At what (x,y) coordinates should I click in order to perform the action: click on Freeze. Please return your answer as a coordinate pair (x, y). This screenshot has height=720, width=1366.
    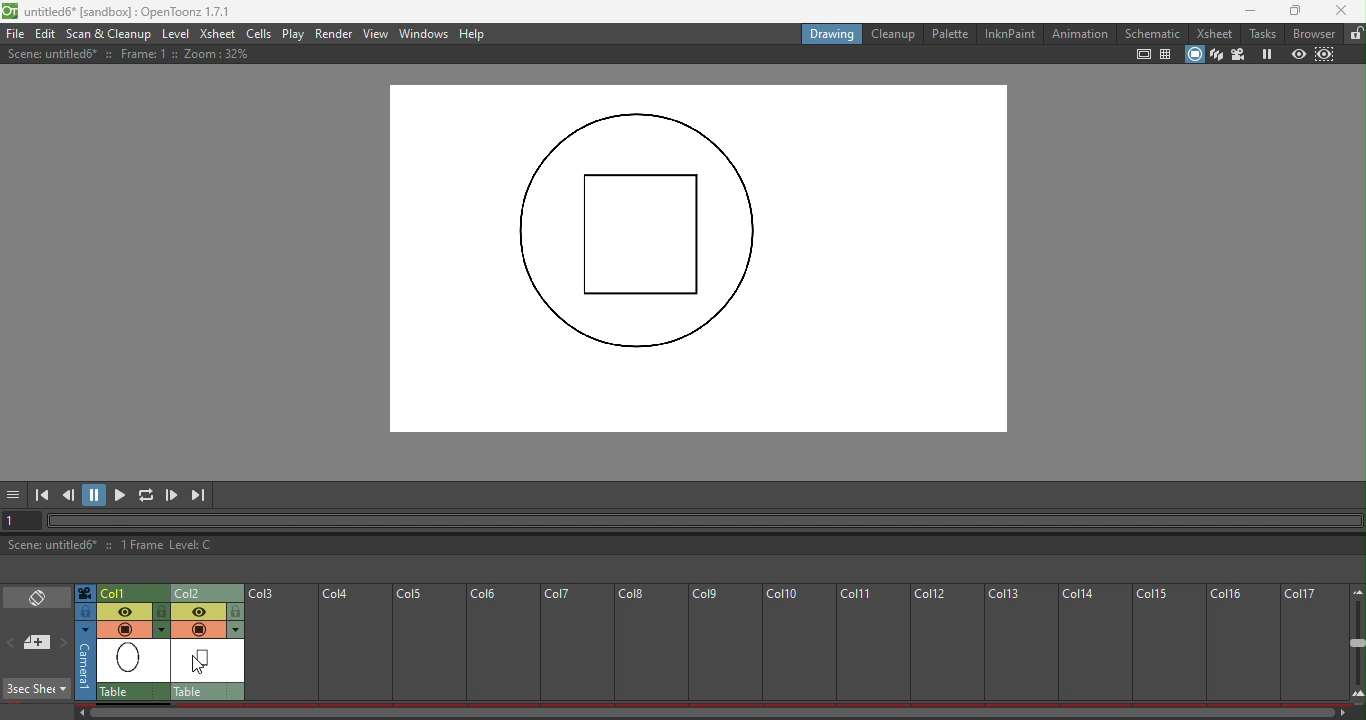
    Looking at the image, I should click on (1268, 55).